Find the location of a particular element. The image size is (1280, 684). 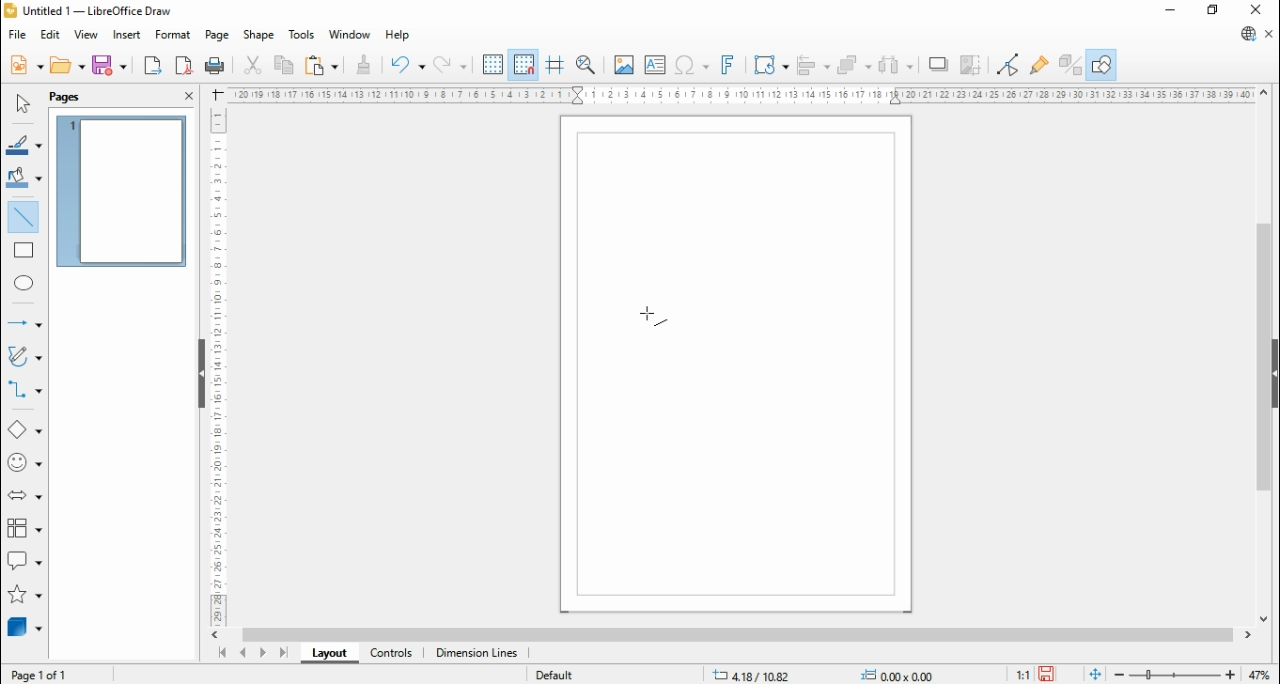

open is located at coordinates (69, 65).